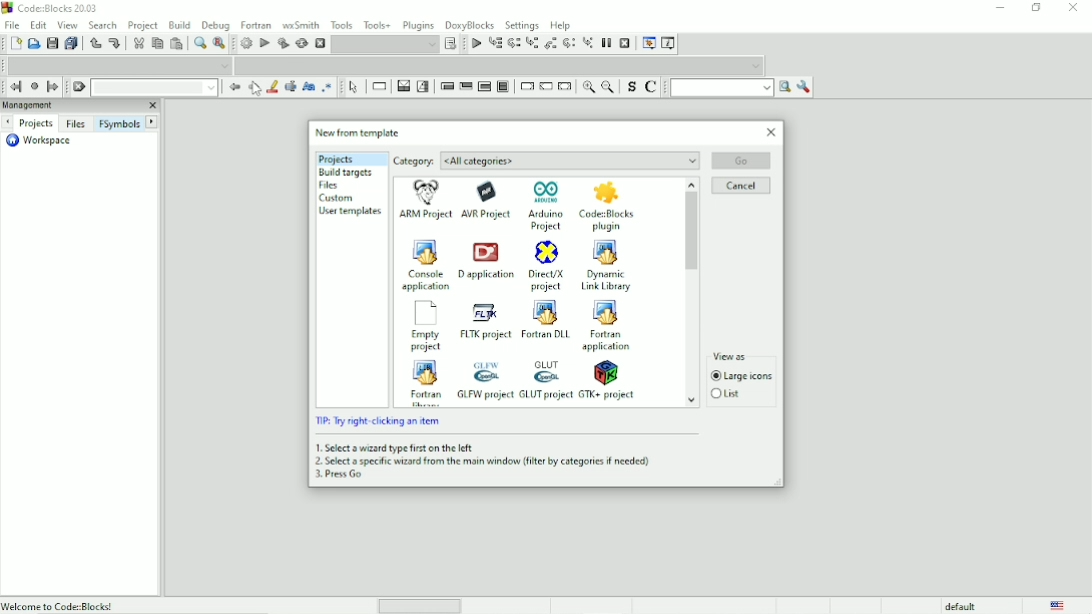 The width and height of the screenshot is (1092, 614). What do you see at coordinates (1074, 9) in the screenshot?
I see `Close` at bounding box center [1074, 9].